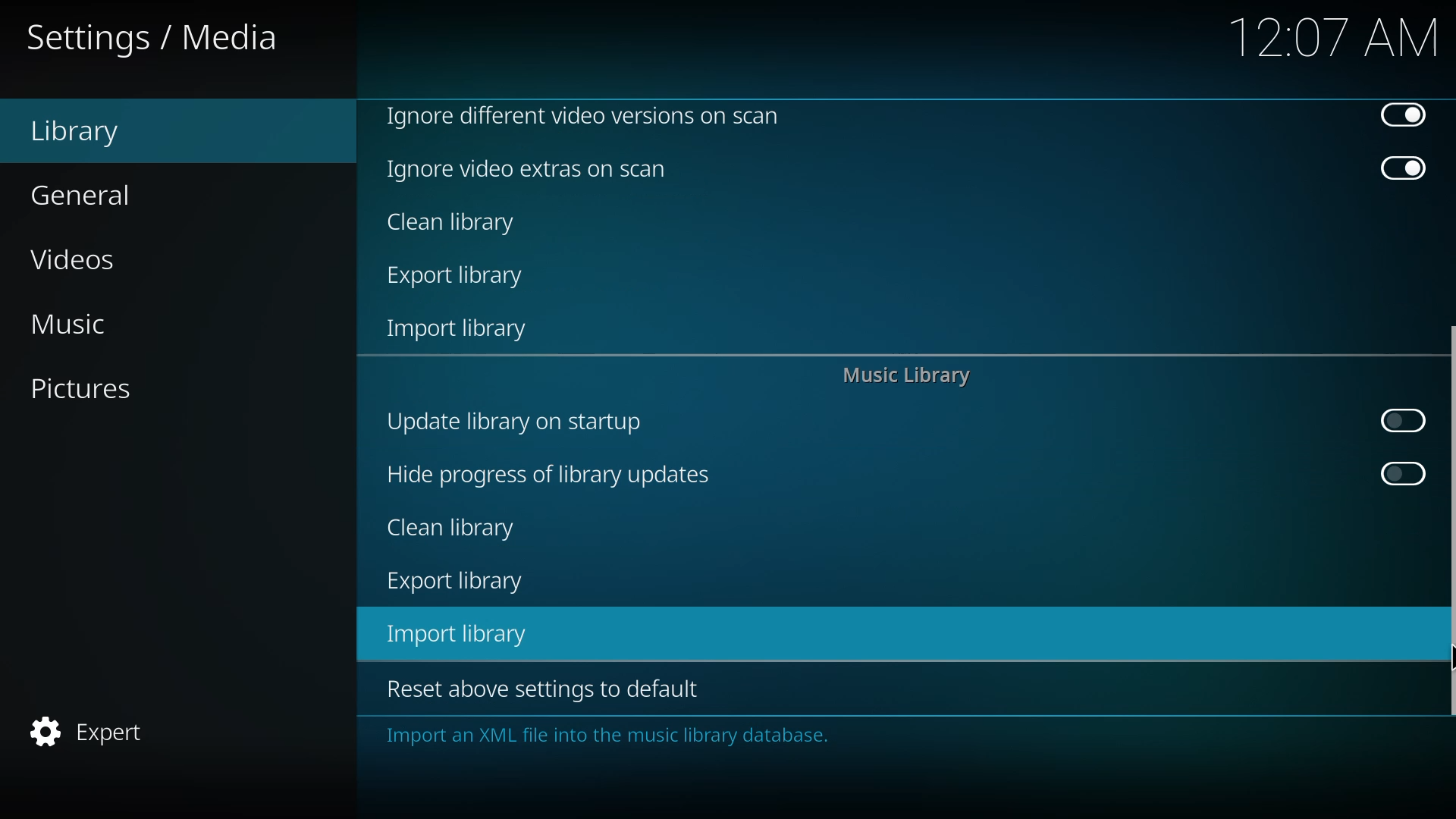 The image size is (1456, 819). What do you see at coordinates (1401, 474) in the screenshot?
I see `click to enable` at bounding box center [1401, 474].